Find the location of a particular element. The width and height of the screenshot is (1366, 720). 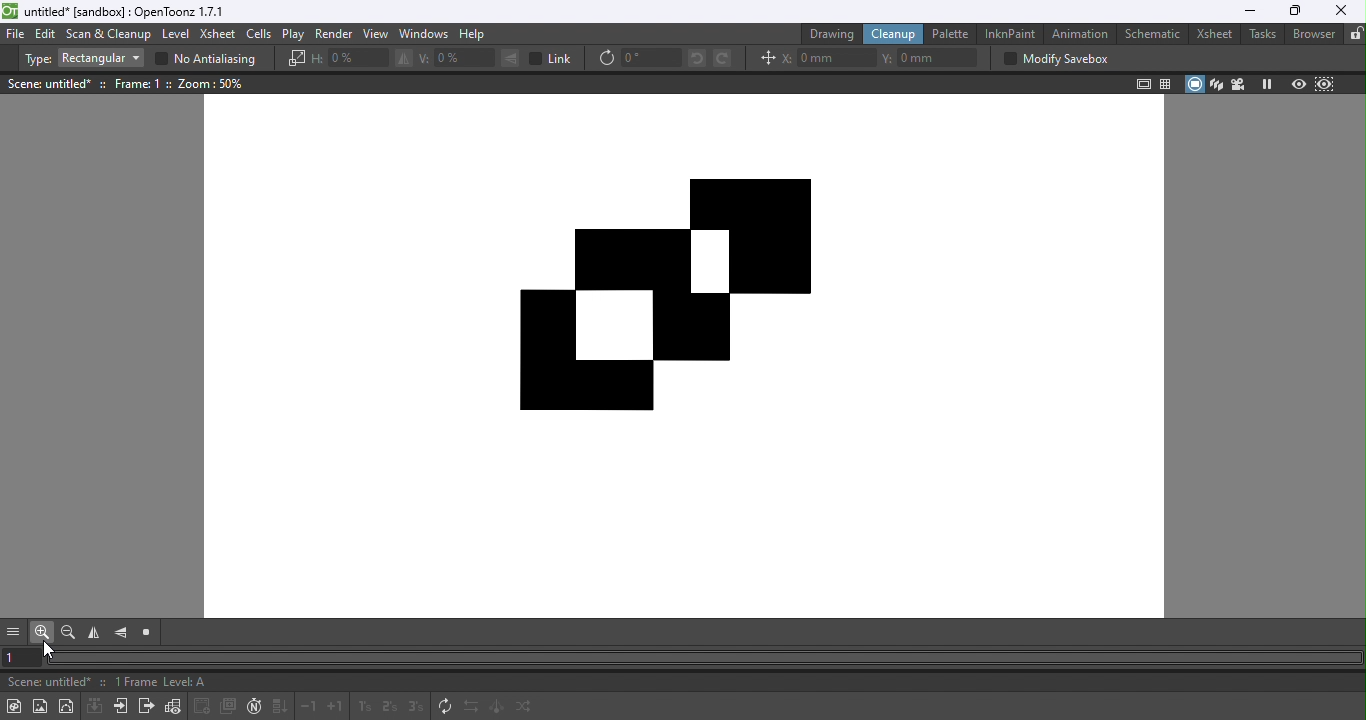

Modify Savebox is located at coordinates (1052, 60).